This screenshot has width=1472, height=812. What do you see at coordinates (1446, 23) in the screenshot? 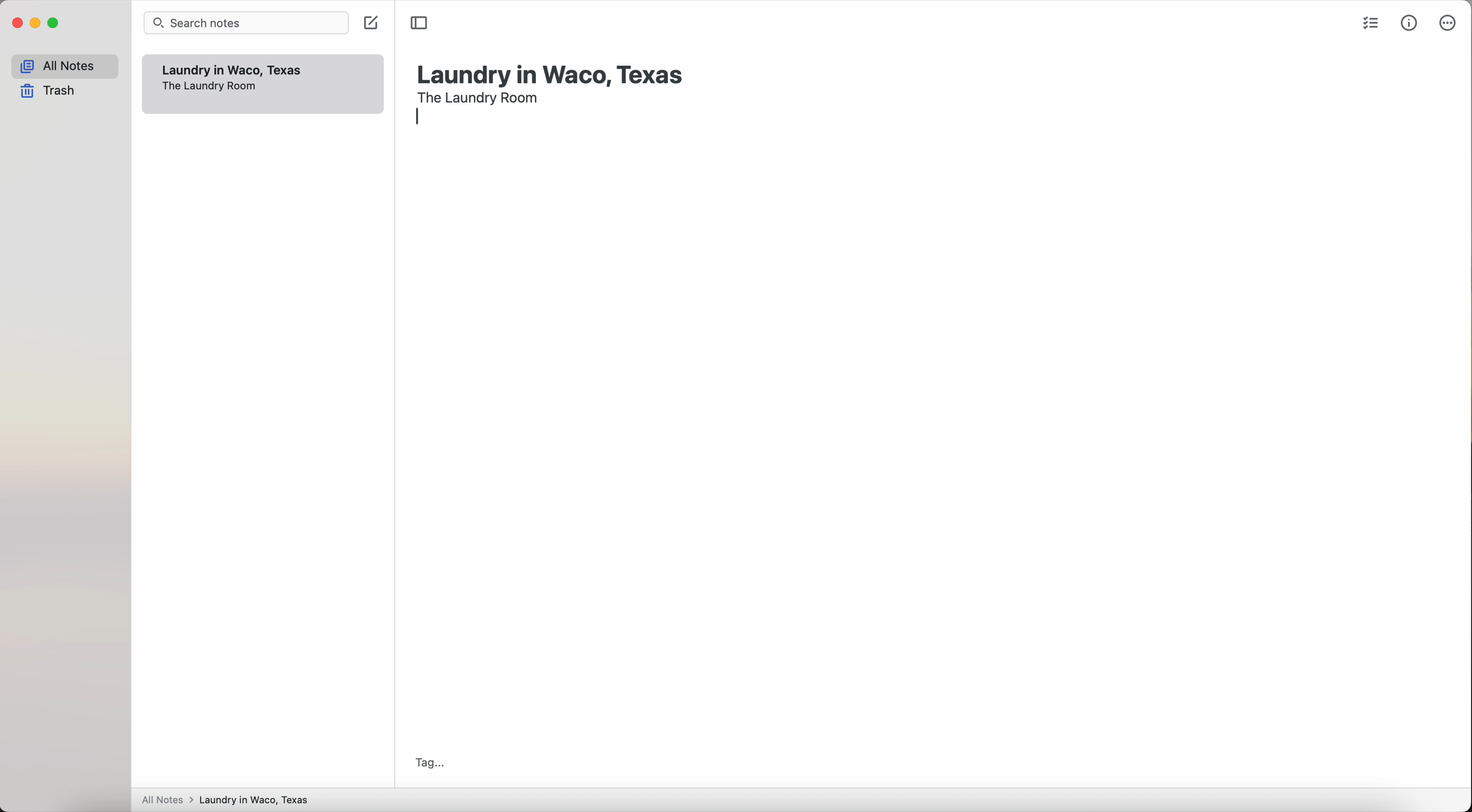
I see `more options` at bounding box center [1446, 23].